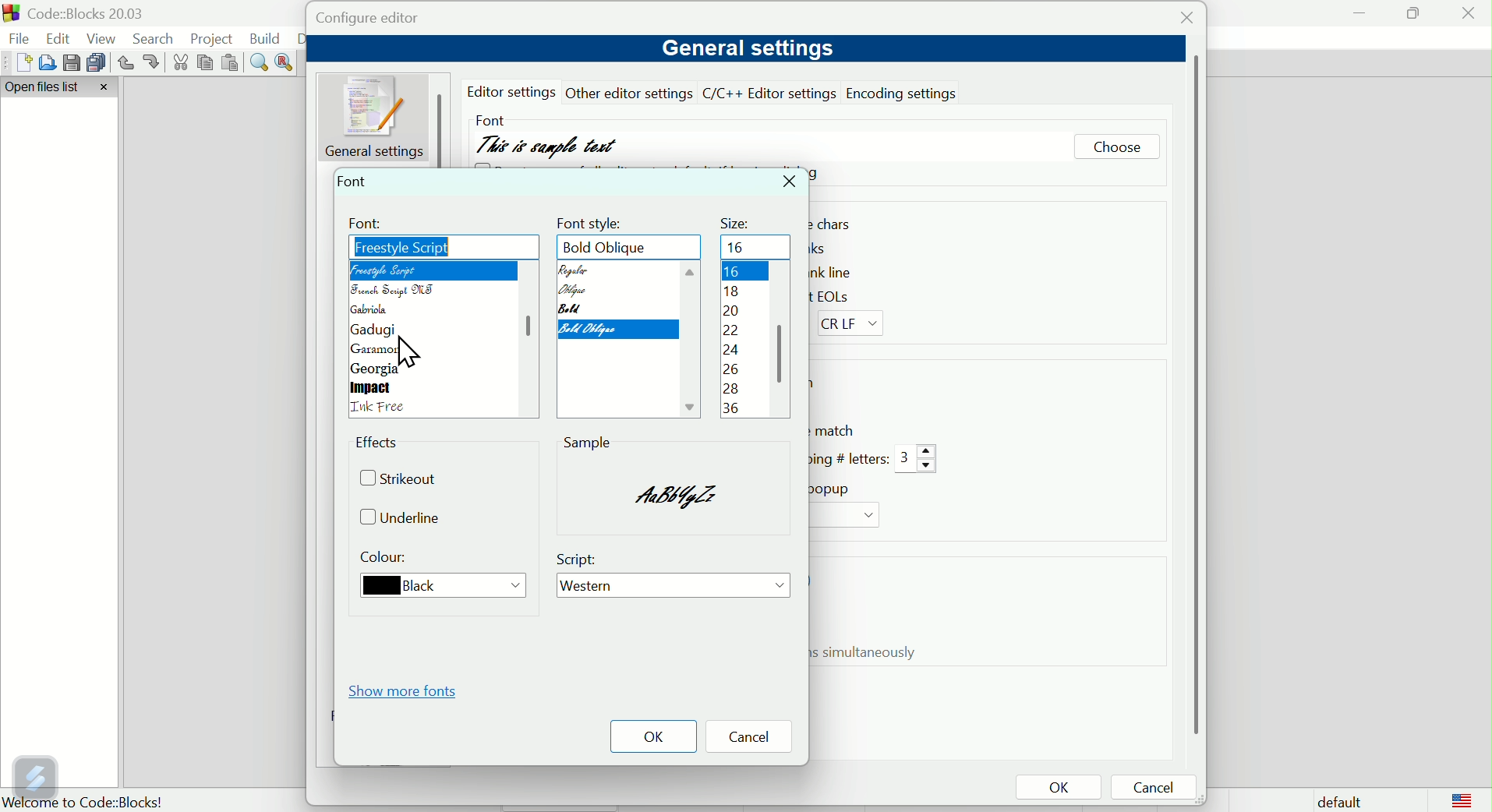 Image resolution: width=1492 pixels, height=812 pixels. I want to click on This is sample text, so click(550, 141).